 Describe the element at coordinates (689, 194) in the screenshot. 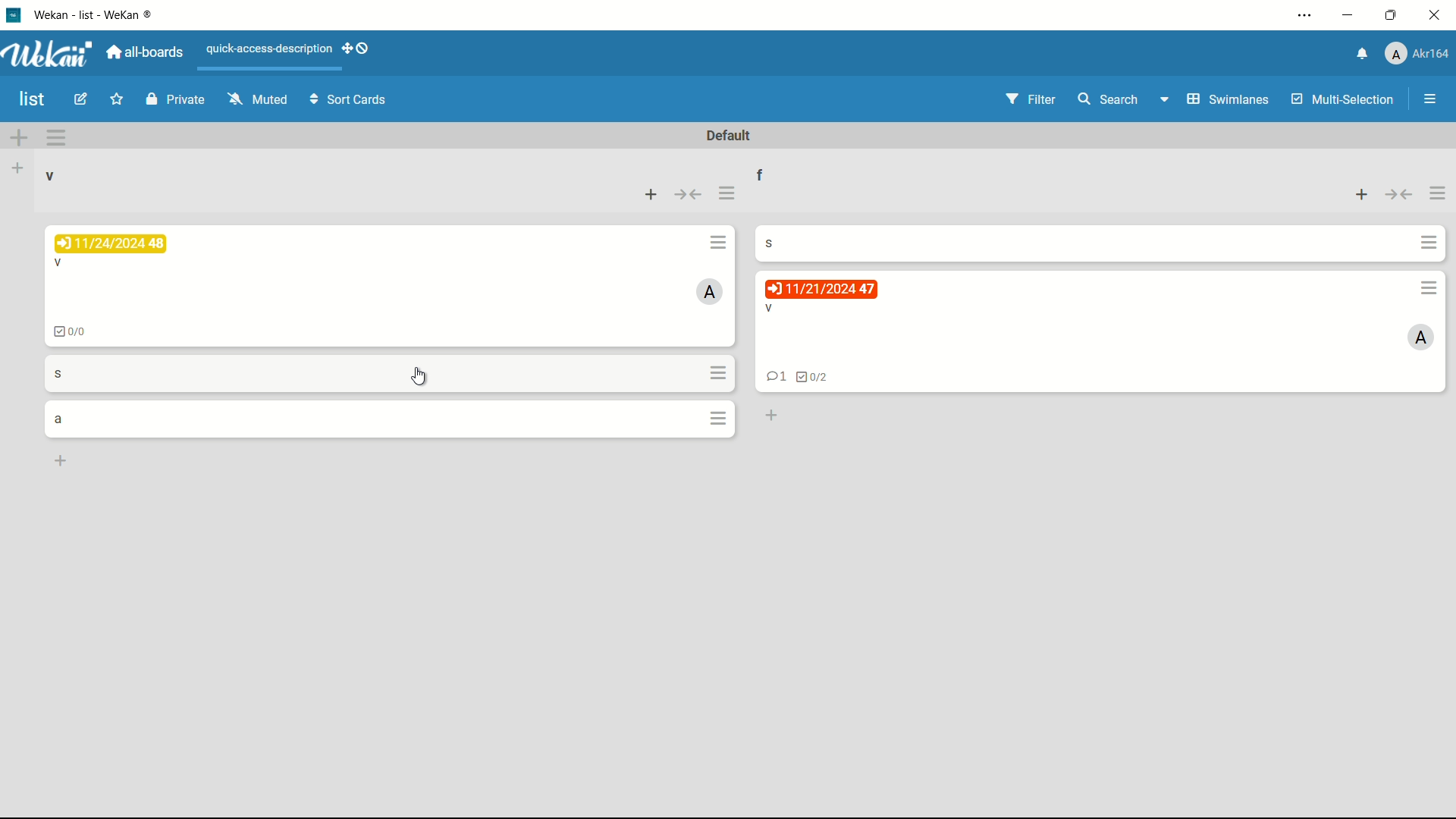

I see `collapse` at that location.